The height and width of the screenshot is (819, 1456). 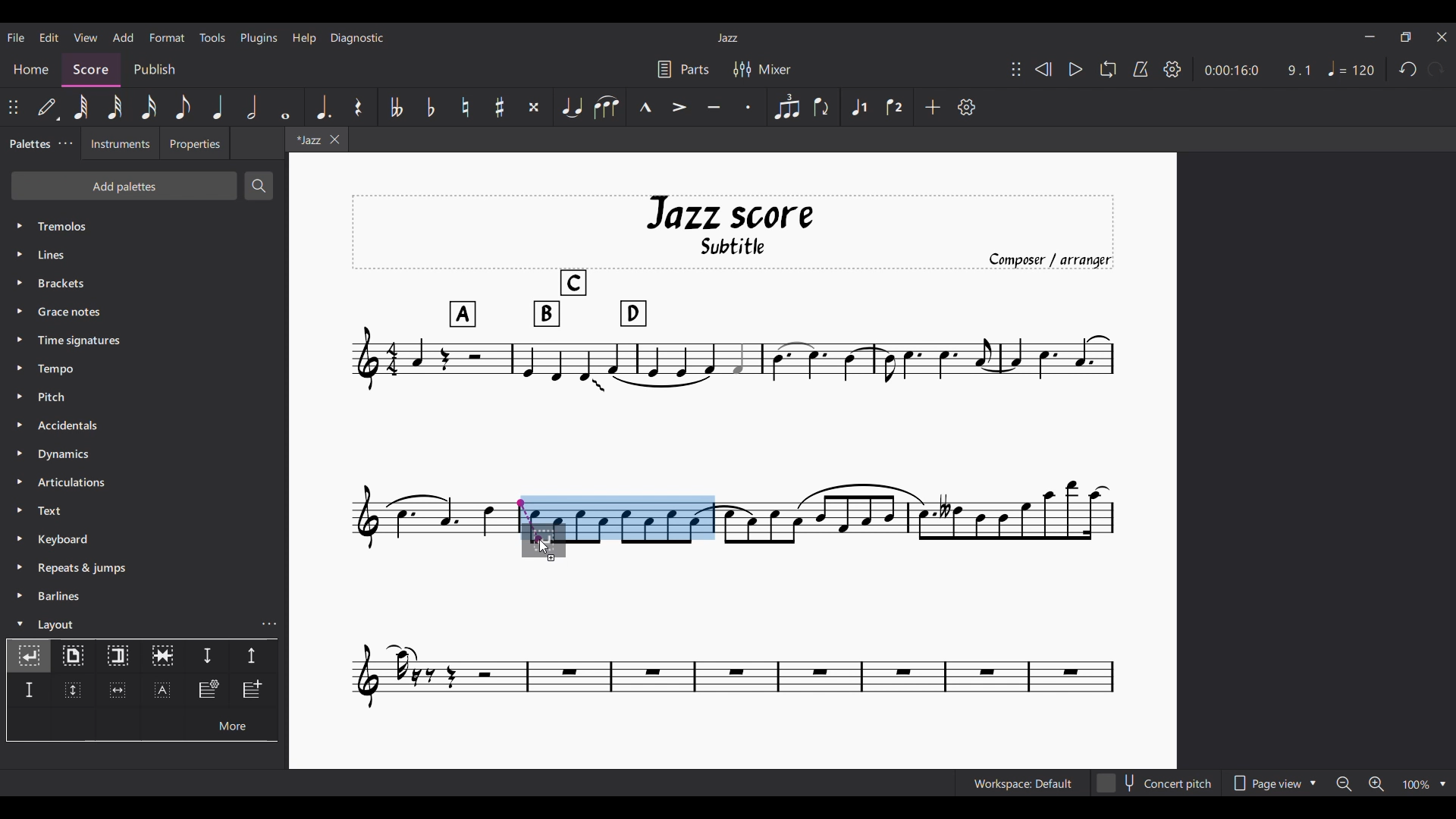 I want to click on Voice 2, so click(x=894, y=107).